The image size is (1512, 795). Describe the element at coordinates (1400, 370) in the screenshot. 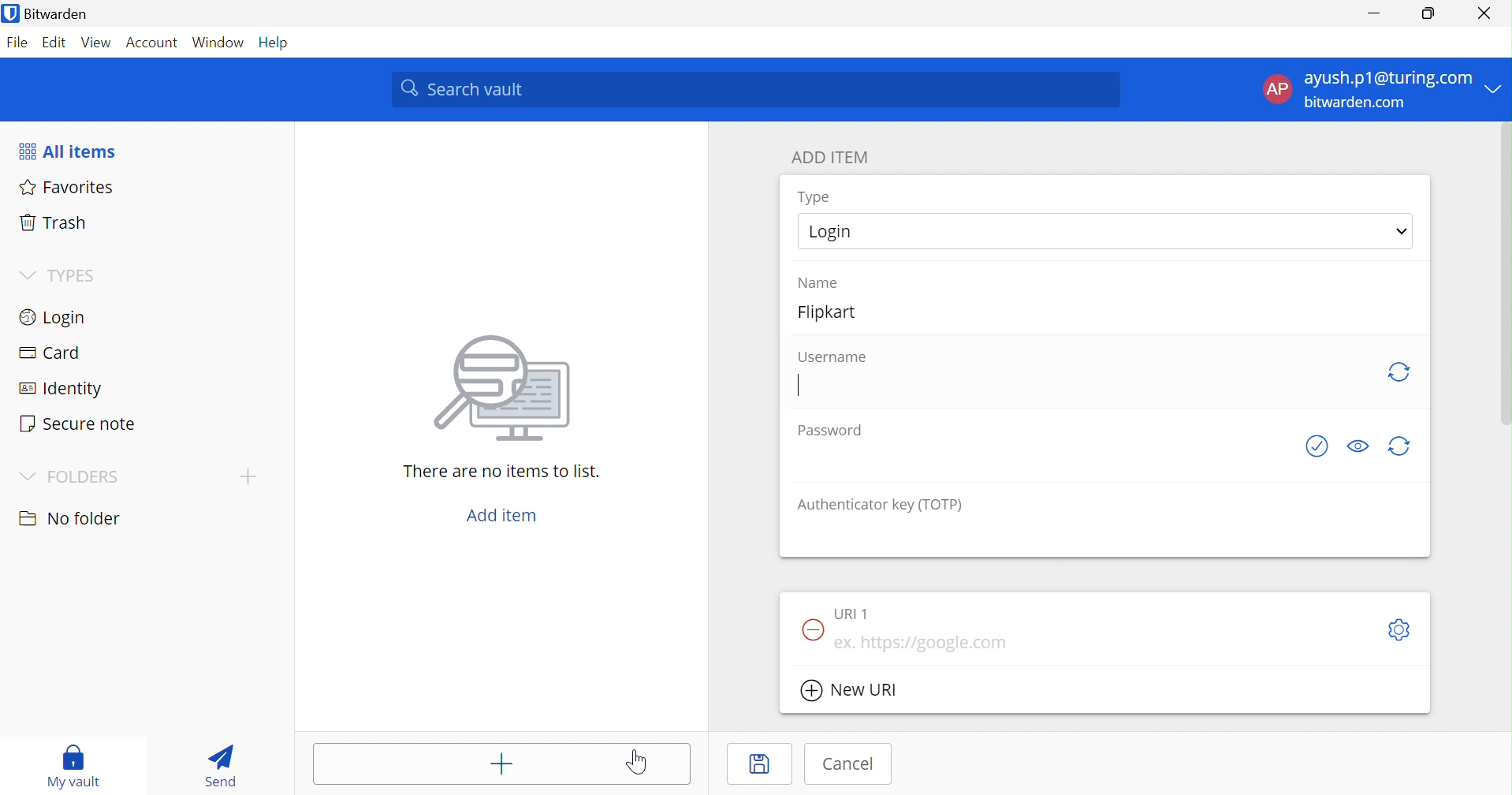

I see `generate username` at that location.